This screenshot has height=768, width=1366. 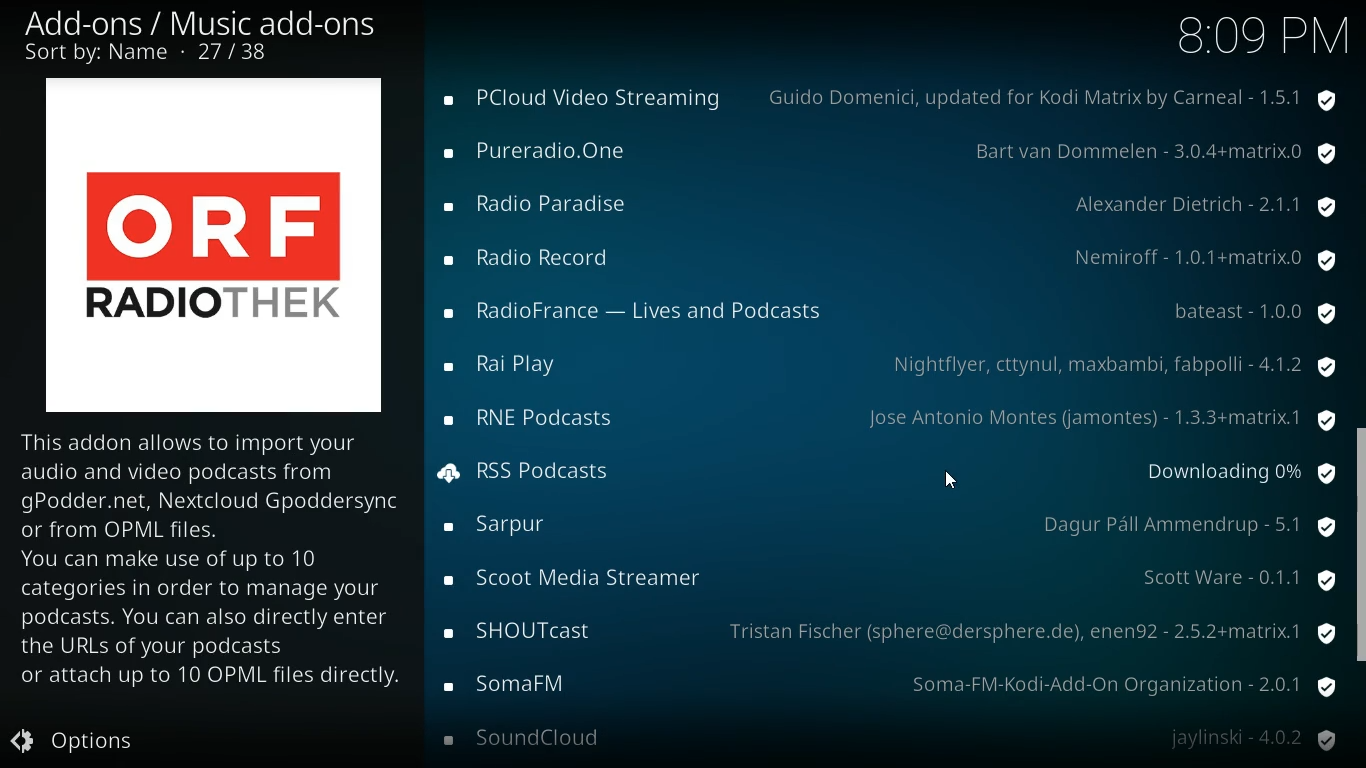 What do you see at coordinates (1117, 681) in the screenshot?
I see `provider` at bounding box center [1117, 681].